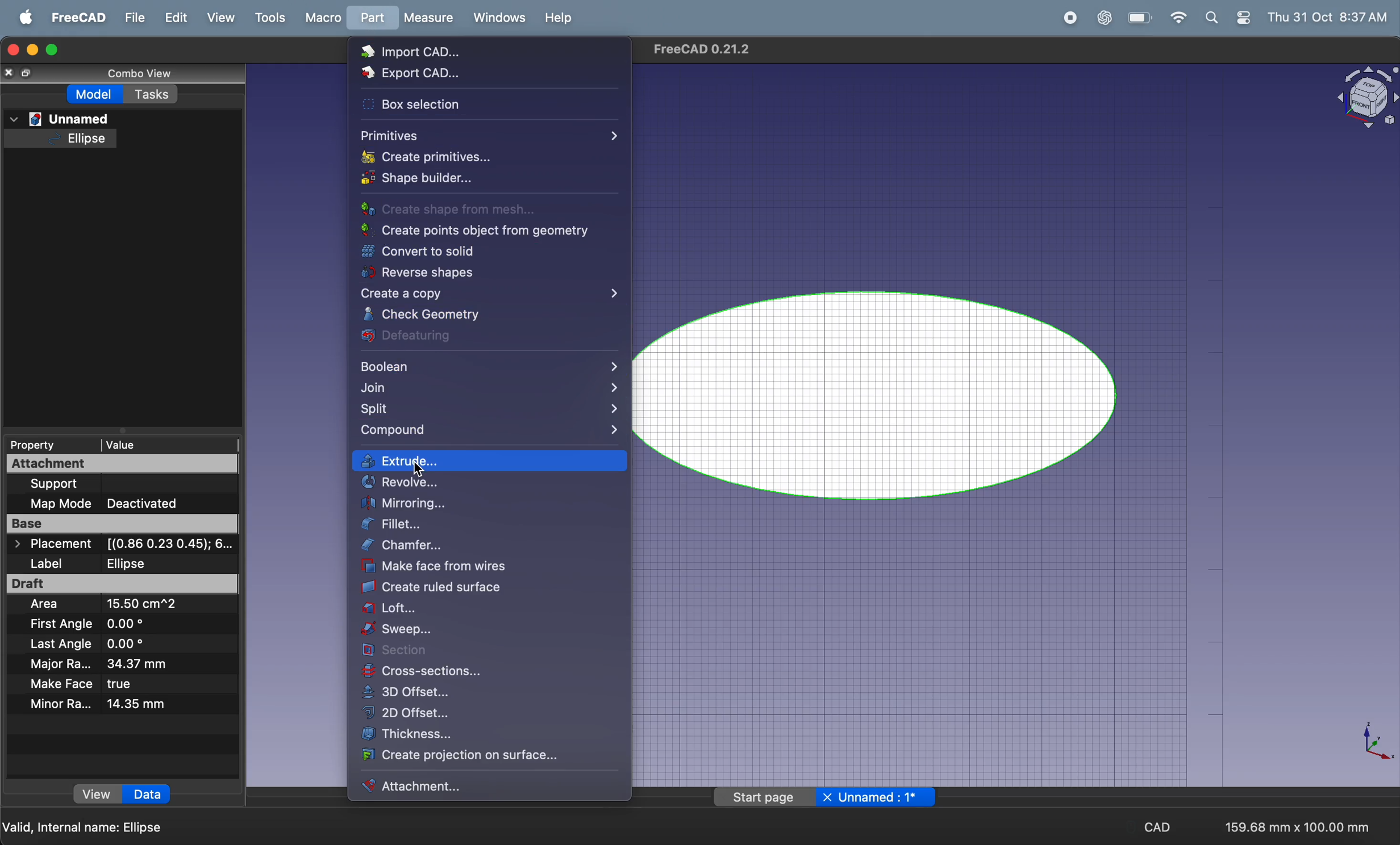  Describe the element at coordinates (489, 430) in the screenshot. I see `compound` at that location.